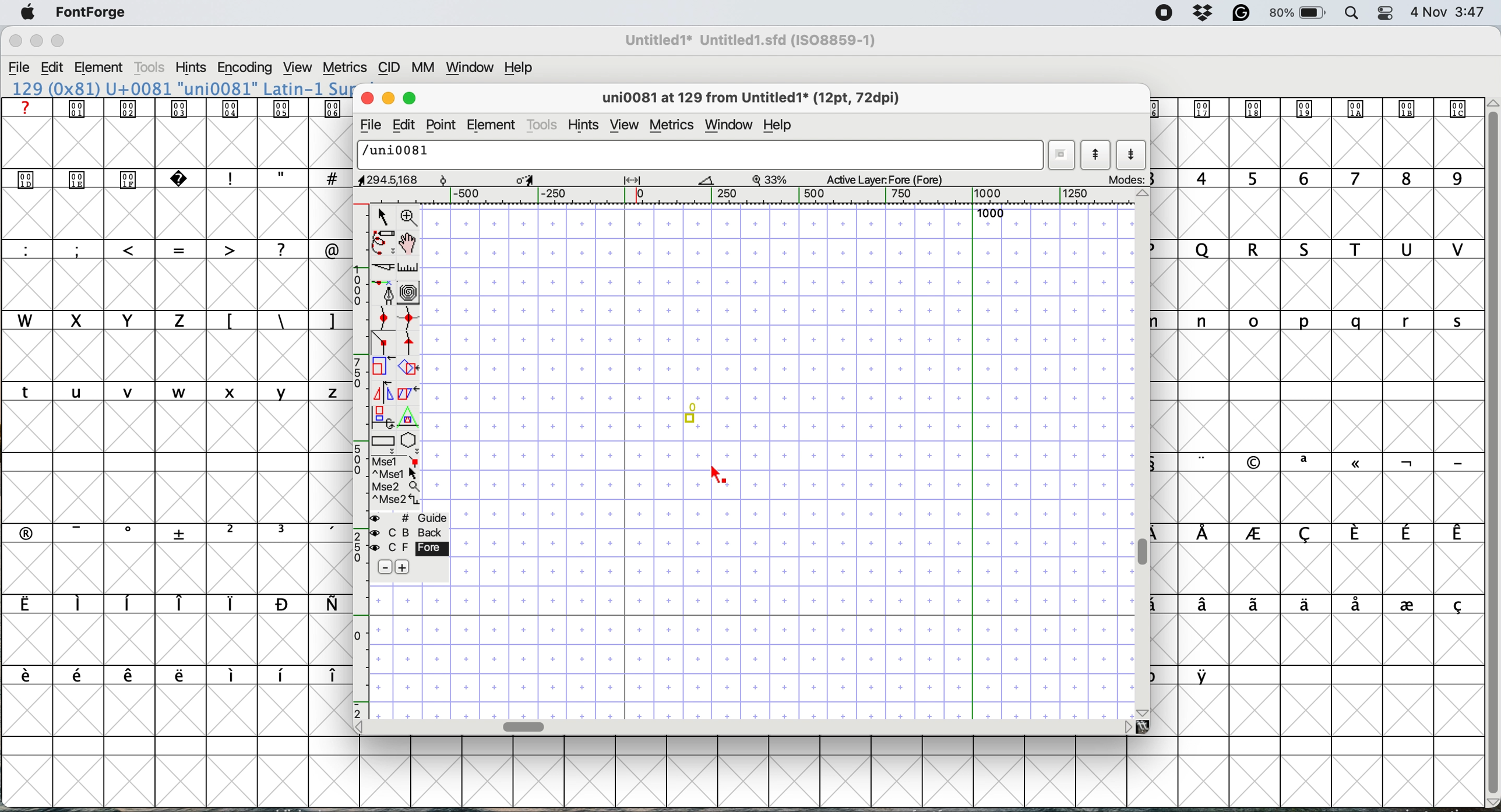 Image resolution: width=1501 pixels, height=812 pixels. What do you see at coordinates (385, 566) in the screenshot?
I see `Minus` at bounding box center [385, 566].